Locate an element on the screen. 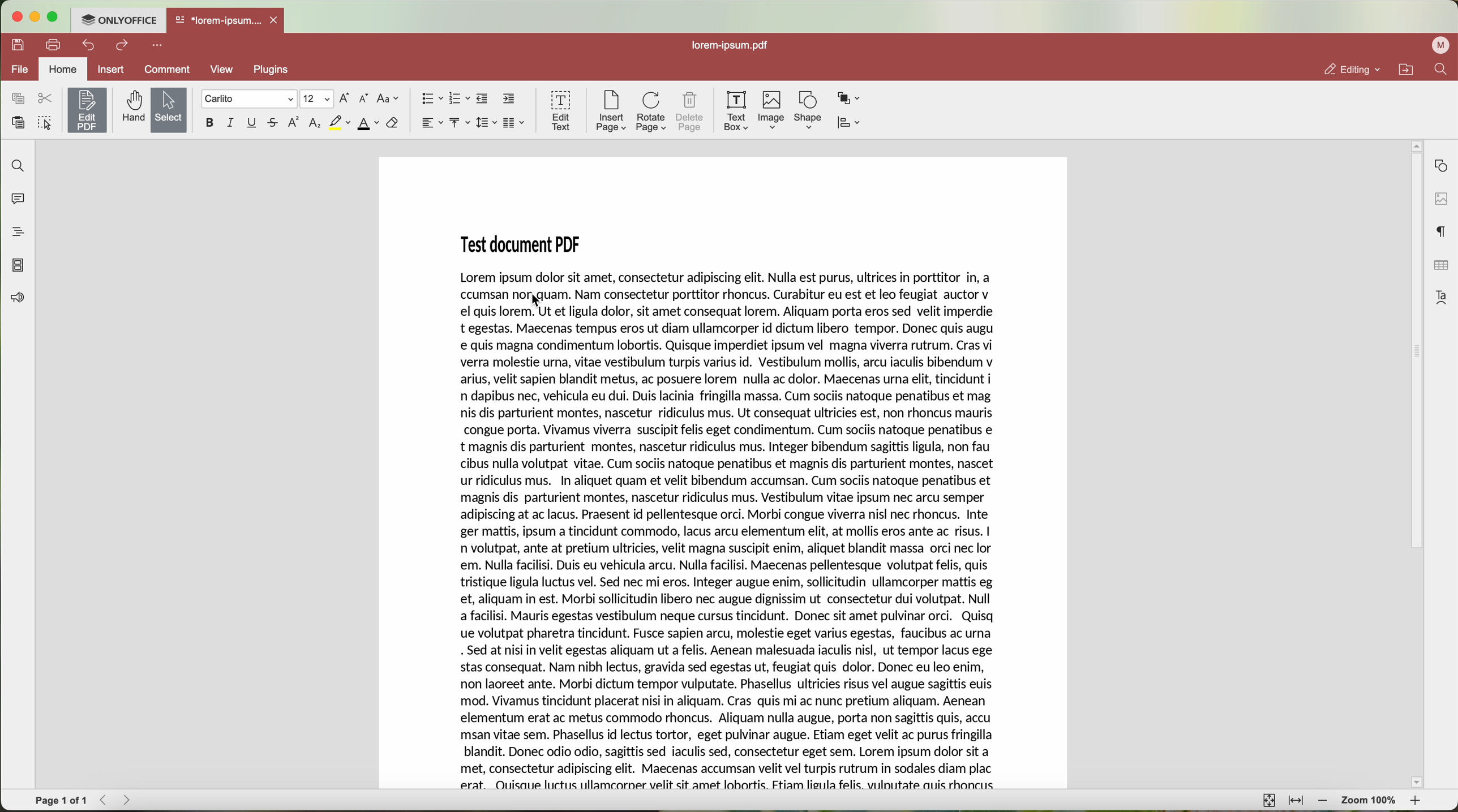  undo is located at coordinates (90, 45).